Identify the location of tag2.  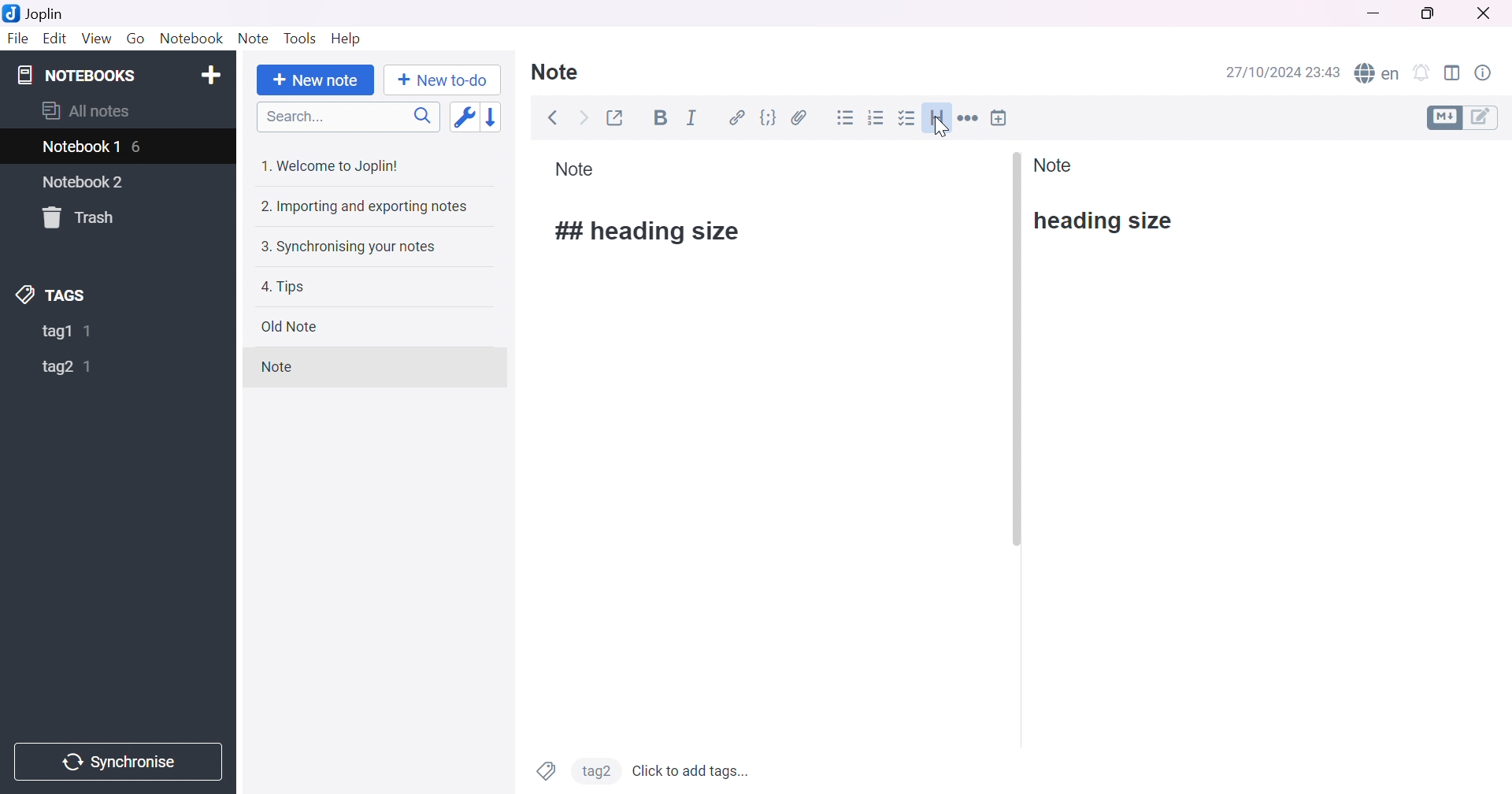
(55, 369).